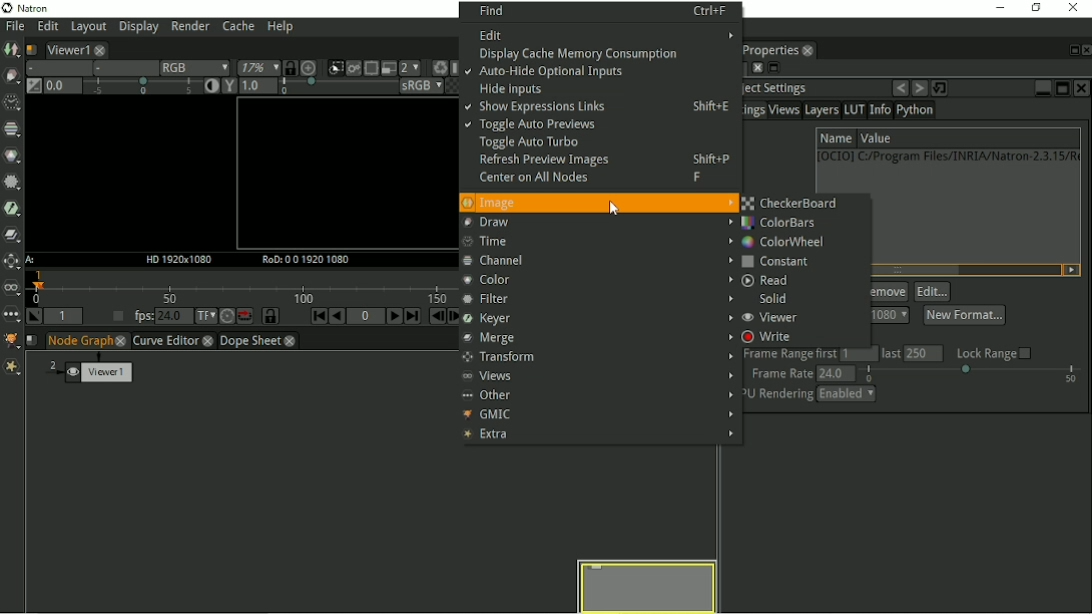  What do you see at coordinates (353, 69) in the screenshot?
I see `Render image` at bounding box center [353, 69].